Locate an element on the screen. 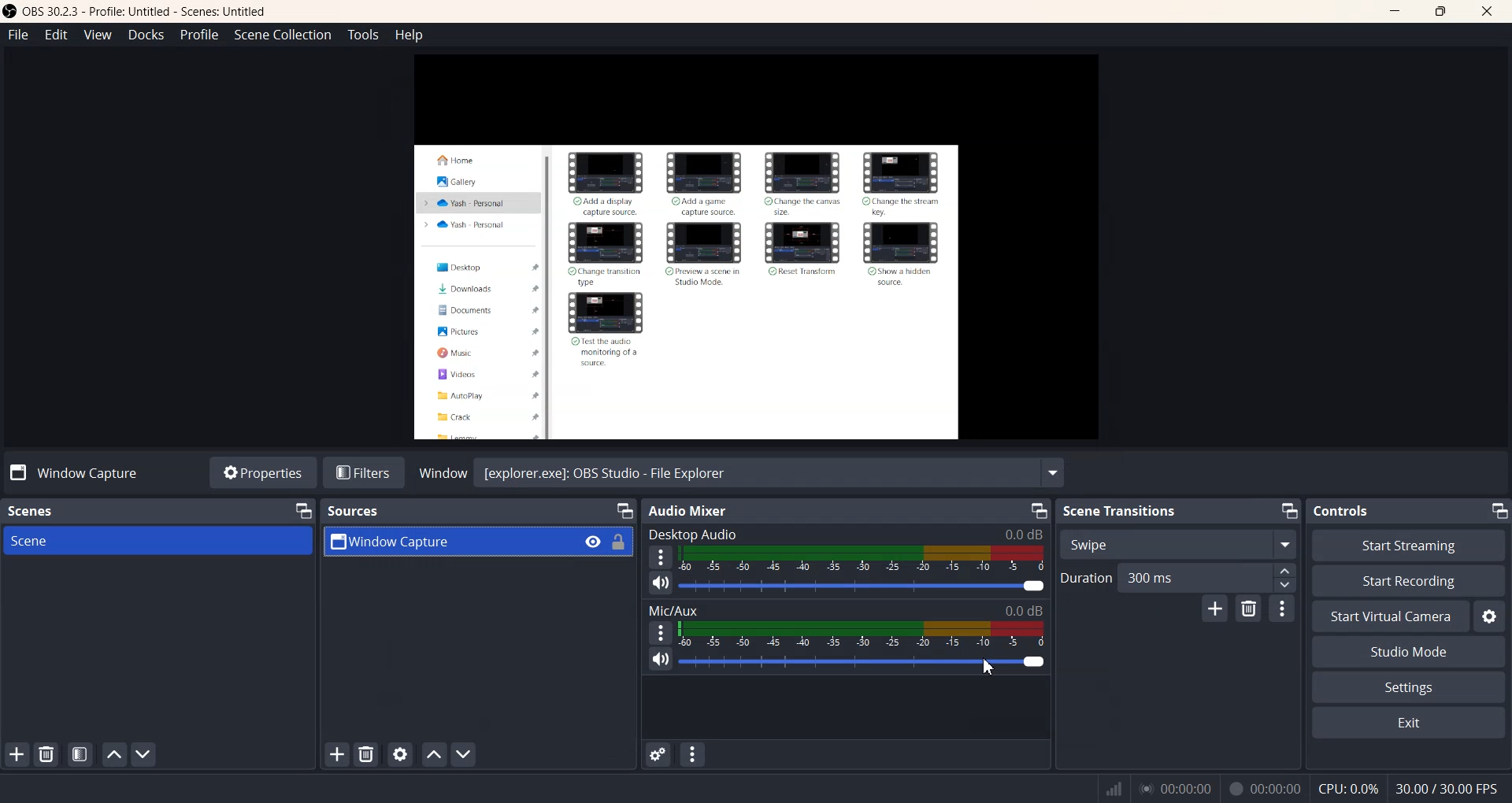  Close is located at coordinates (1488, 13).